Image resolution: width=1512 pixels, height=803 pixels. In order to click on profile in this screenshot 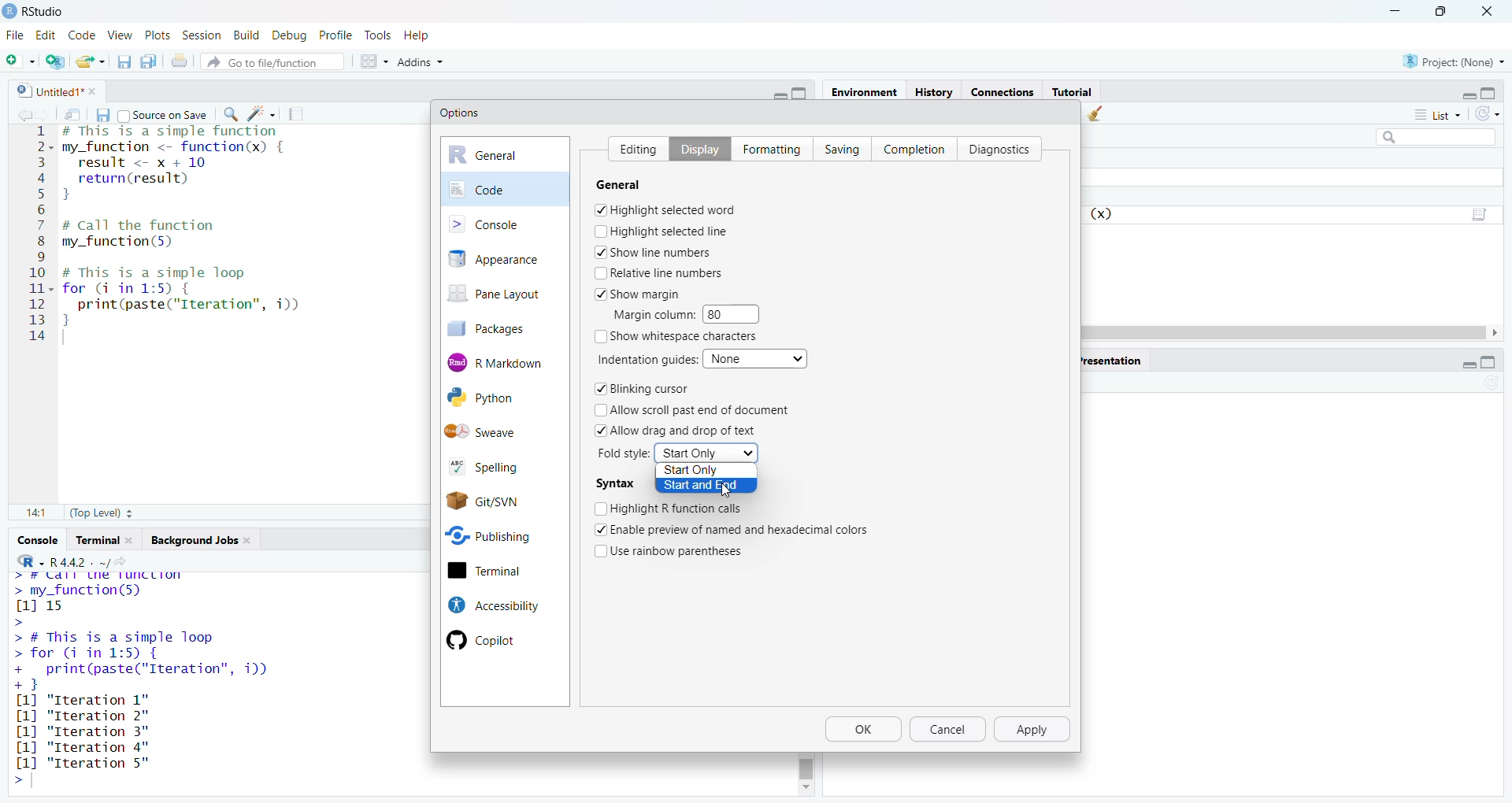, I will do `click(339, 34)`.